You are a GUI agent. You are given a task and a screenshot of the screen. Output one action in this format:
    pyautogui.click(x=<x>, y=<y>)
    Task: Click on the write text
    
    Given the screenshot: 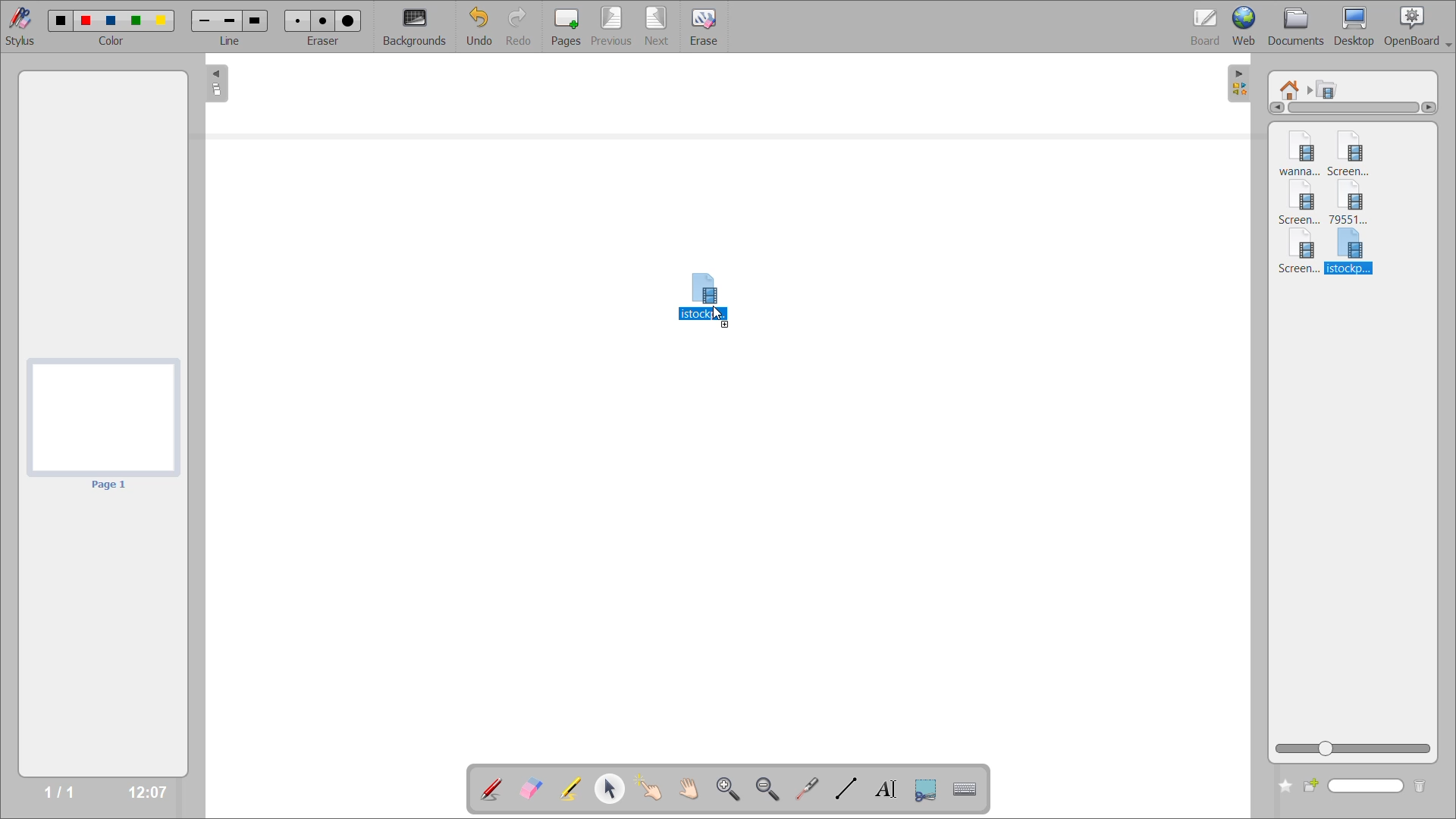 What is the action you would take?
    pyautogui.click(x=883, y=790)
    